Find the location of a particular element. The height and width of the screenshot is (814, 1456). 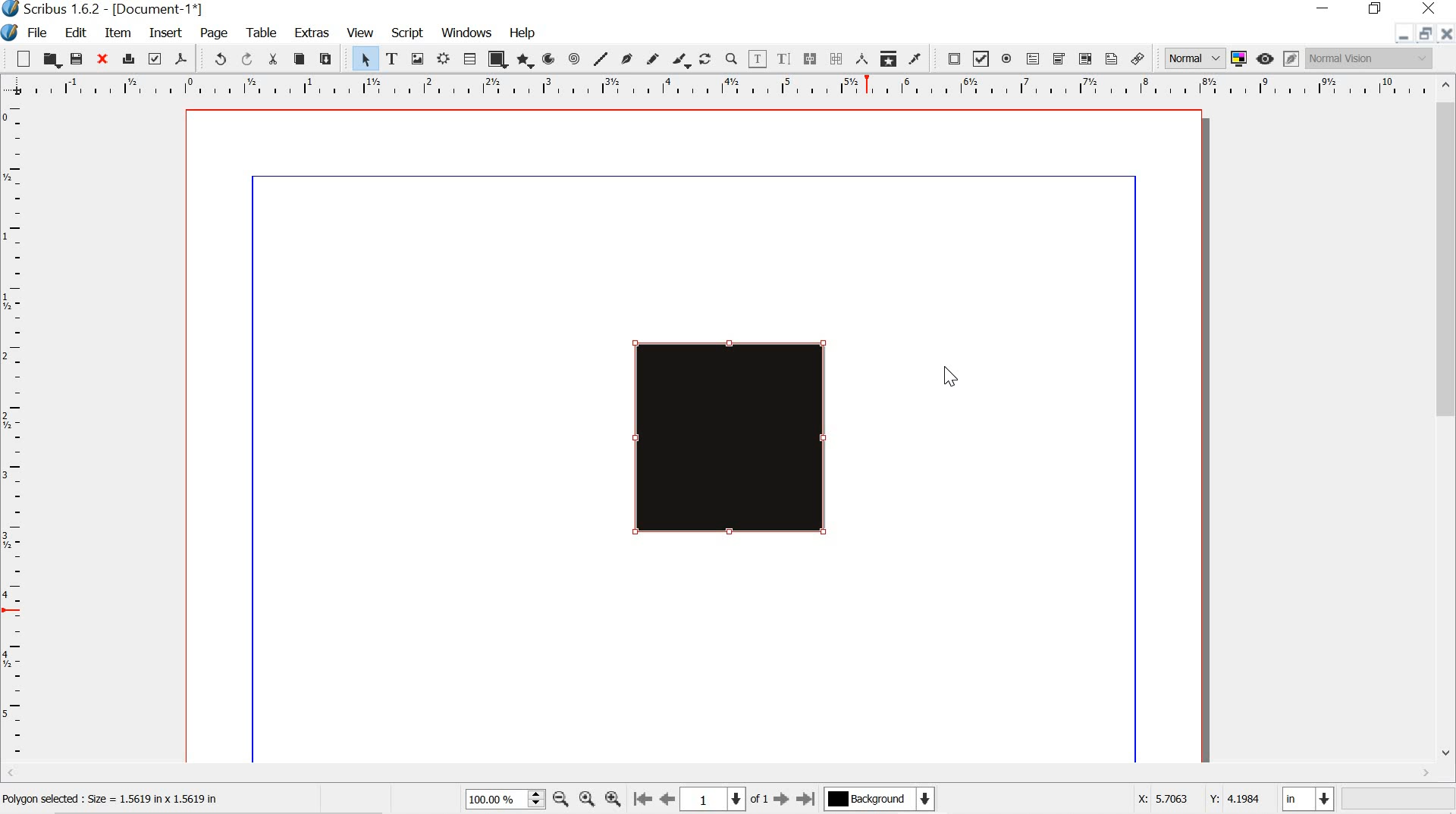

file is located at coordinates (40, 33).